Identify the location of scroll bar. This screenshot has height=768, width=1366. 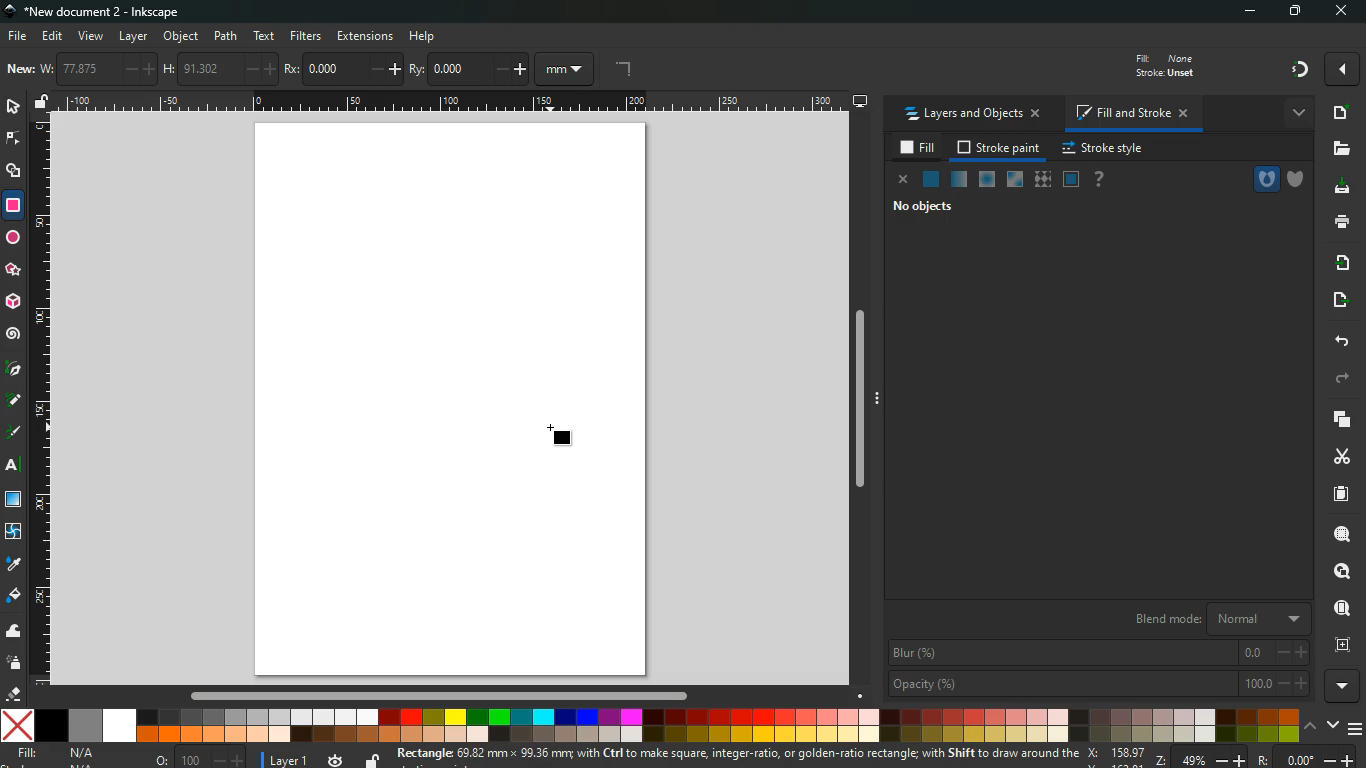
(859, 395).